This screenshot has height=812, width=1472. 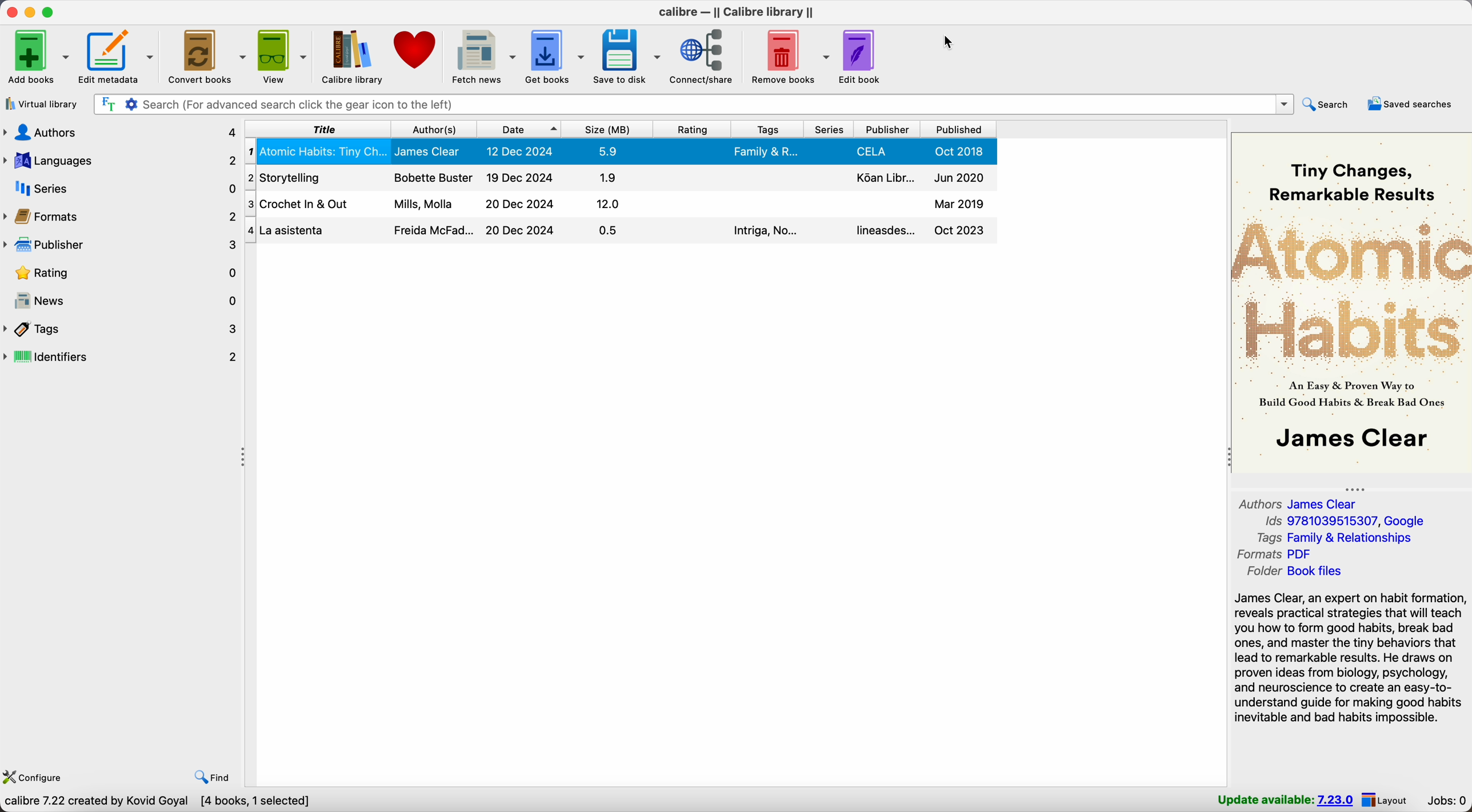 I want to click on Calibre library, so click(x=353, y=55).